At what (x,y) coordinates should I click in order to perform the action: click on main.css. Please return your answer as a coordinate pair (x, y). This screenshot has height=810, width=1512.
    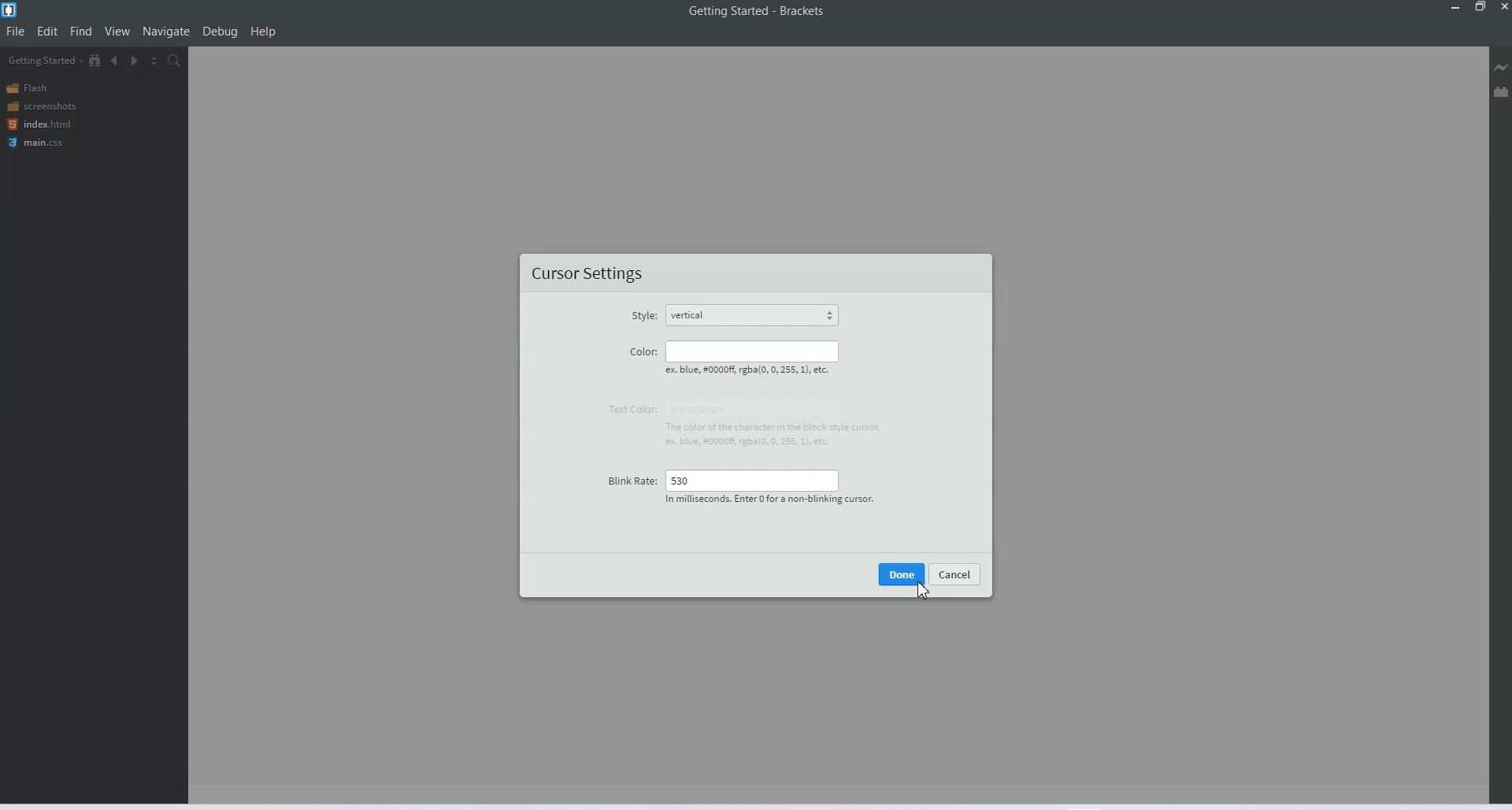
    Looking at the image, I should click on (39, 143).